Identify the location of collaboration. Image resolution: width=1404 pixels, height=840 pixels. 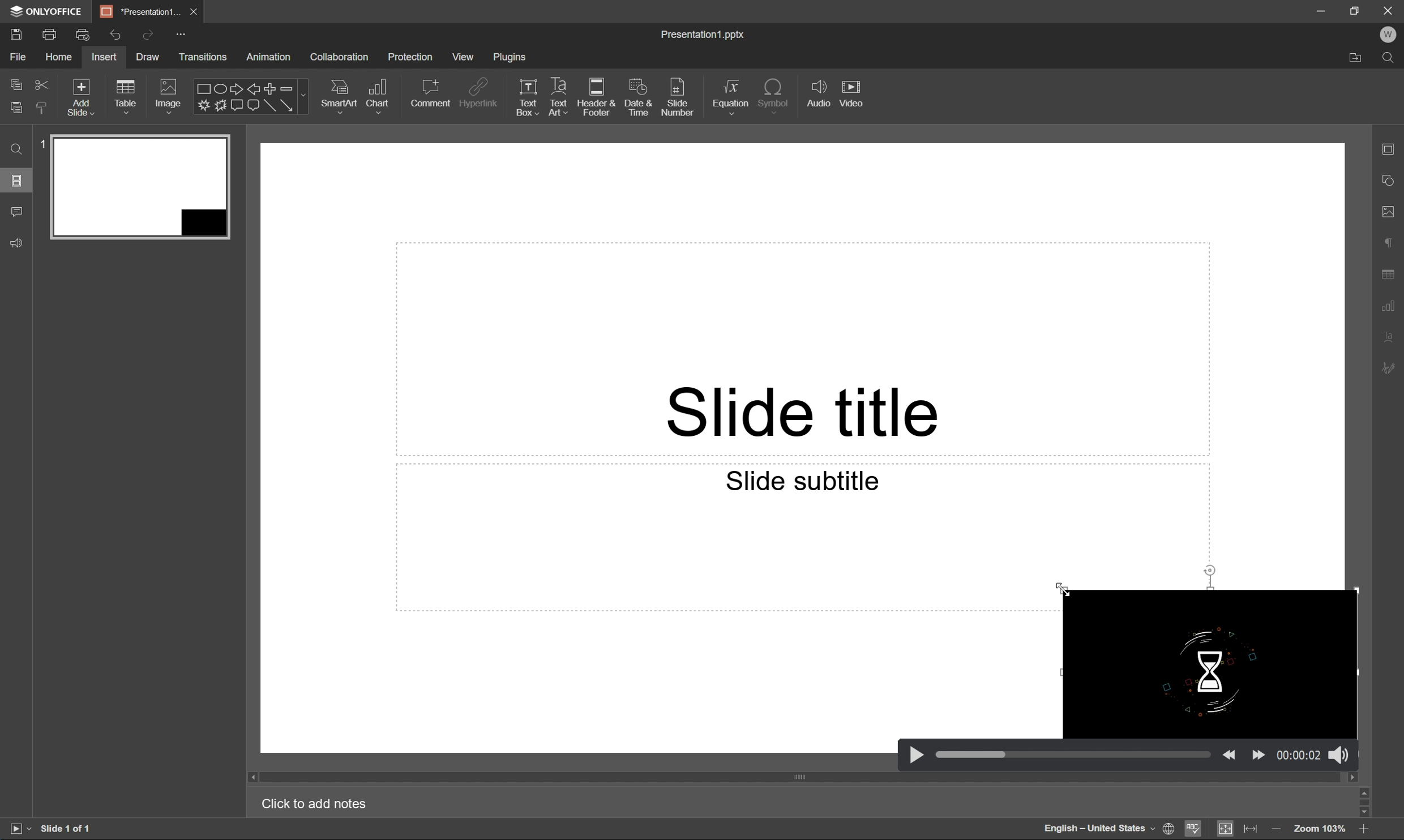
(341, 57).